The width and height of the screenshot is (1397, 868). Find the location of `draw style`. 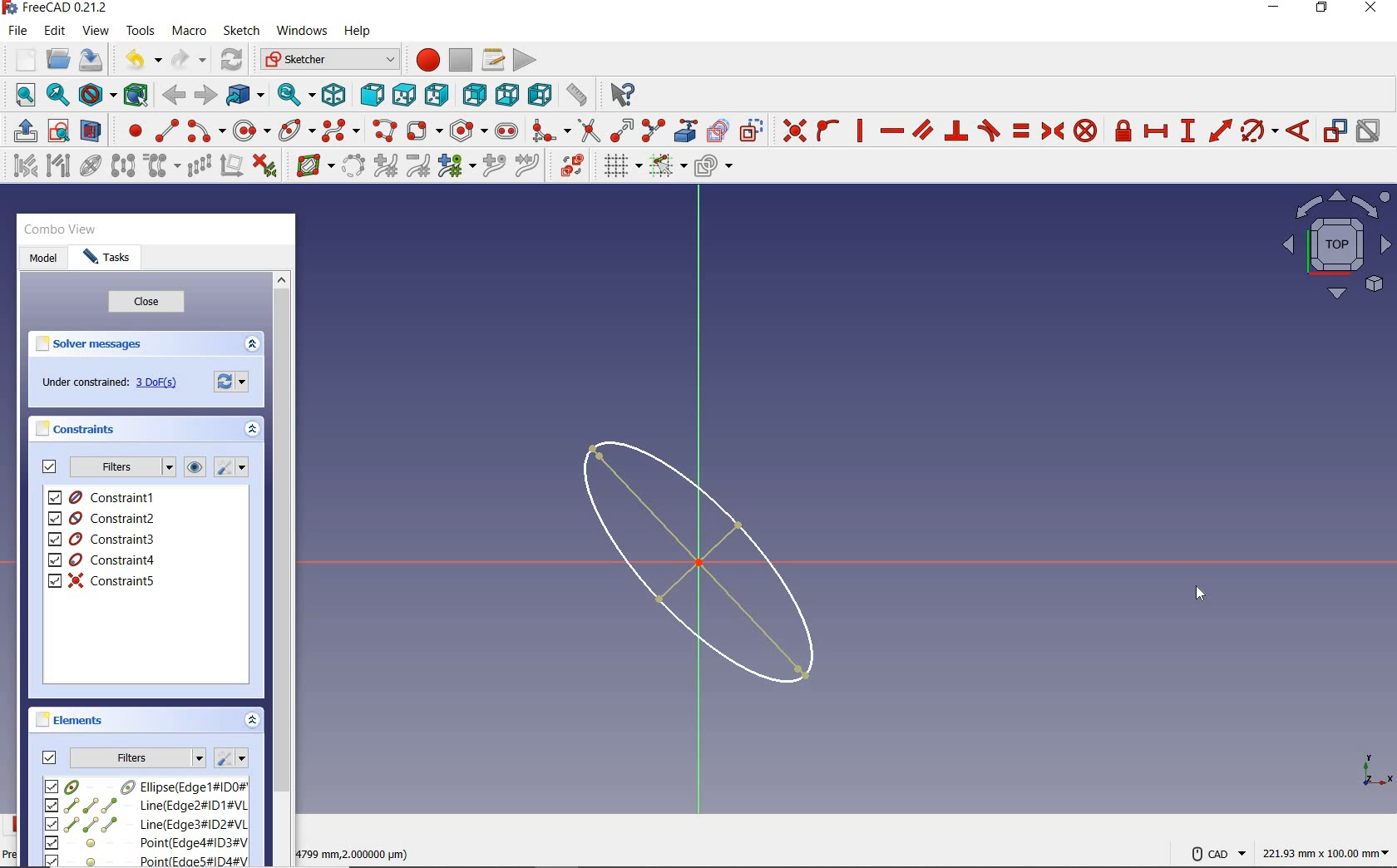

draw style is located at coordinates (97, 94).